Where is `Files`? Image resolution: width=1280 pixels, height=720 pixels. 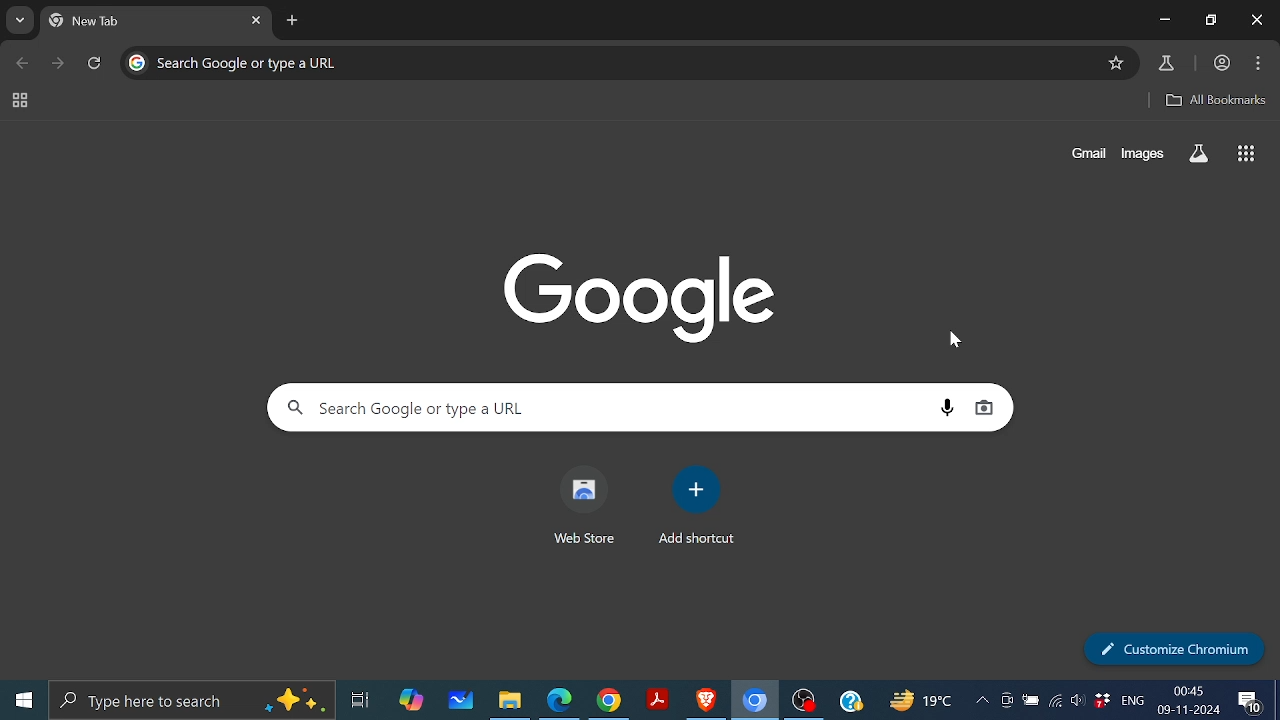
Files is located at coordinates (510, 702).